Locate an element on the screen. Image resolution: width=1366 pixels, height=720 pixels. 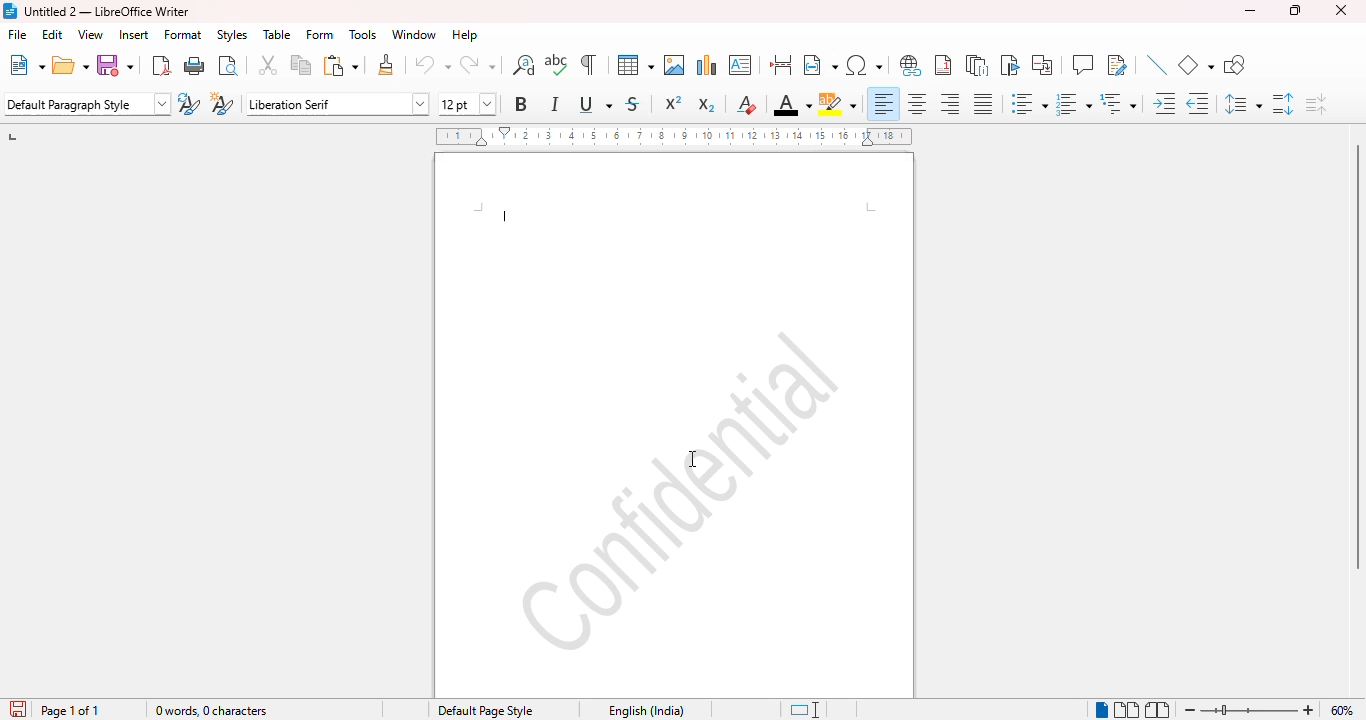
font size is located at coordinates (466, 104).